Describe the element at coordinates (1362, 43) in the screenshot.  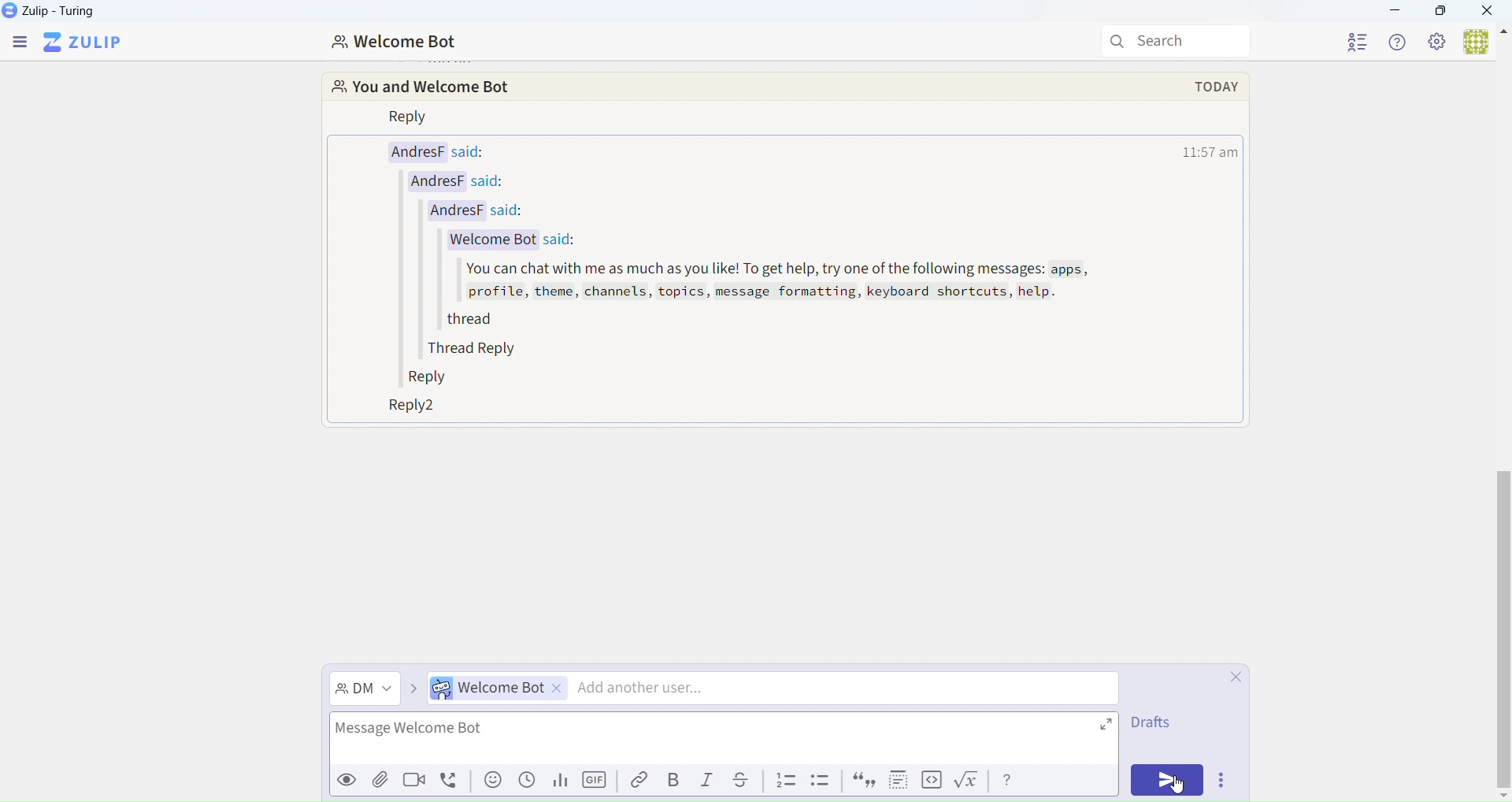
I see `User List` at that location.